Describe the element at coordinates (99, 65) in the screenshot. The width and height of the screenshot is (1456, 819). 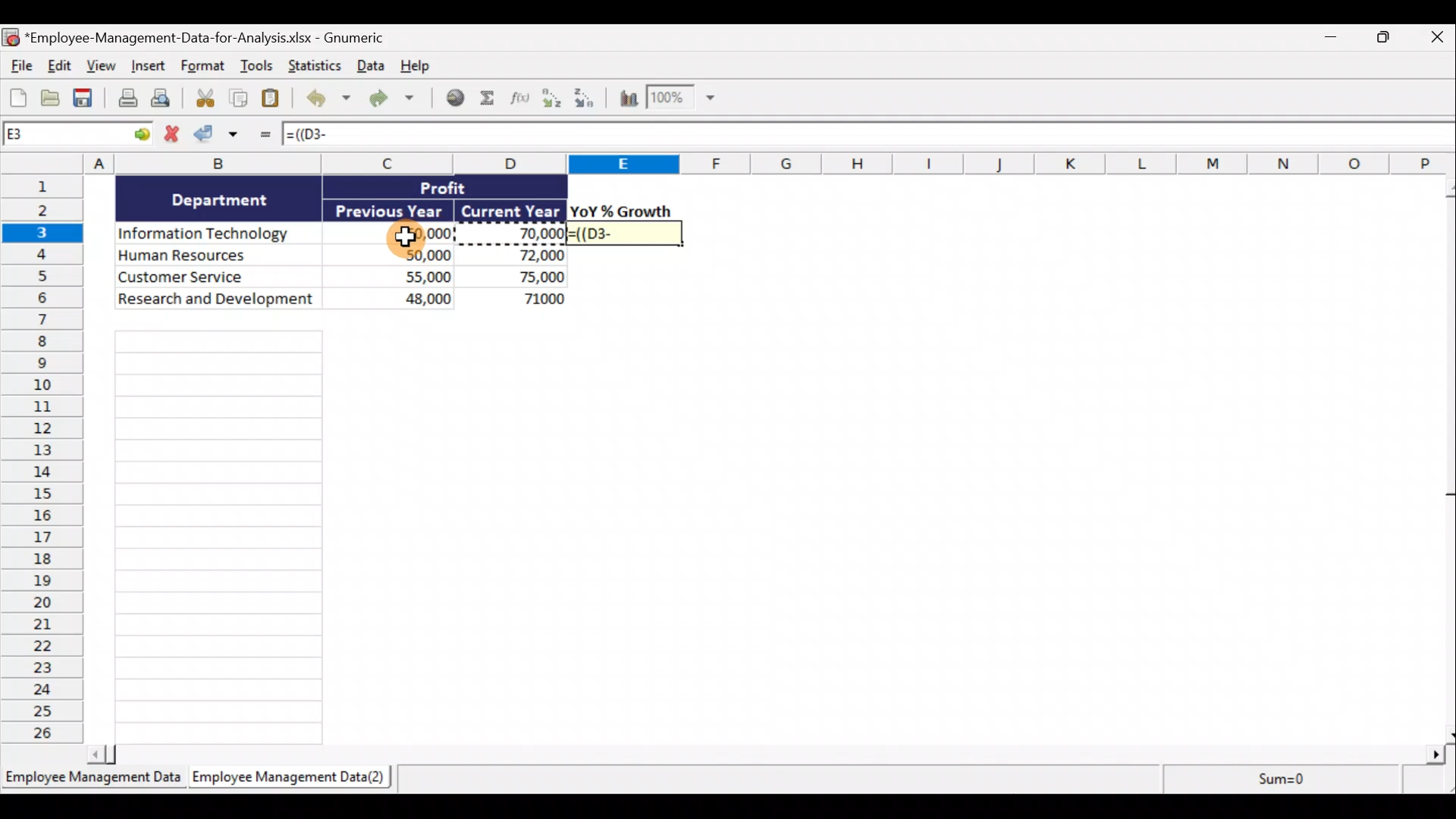
I see `View` at that location.